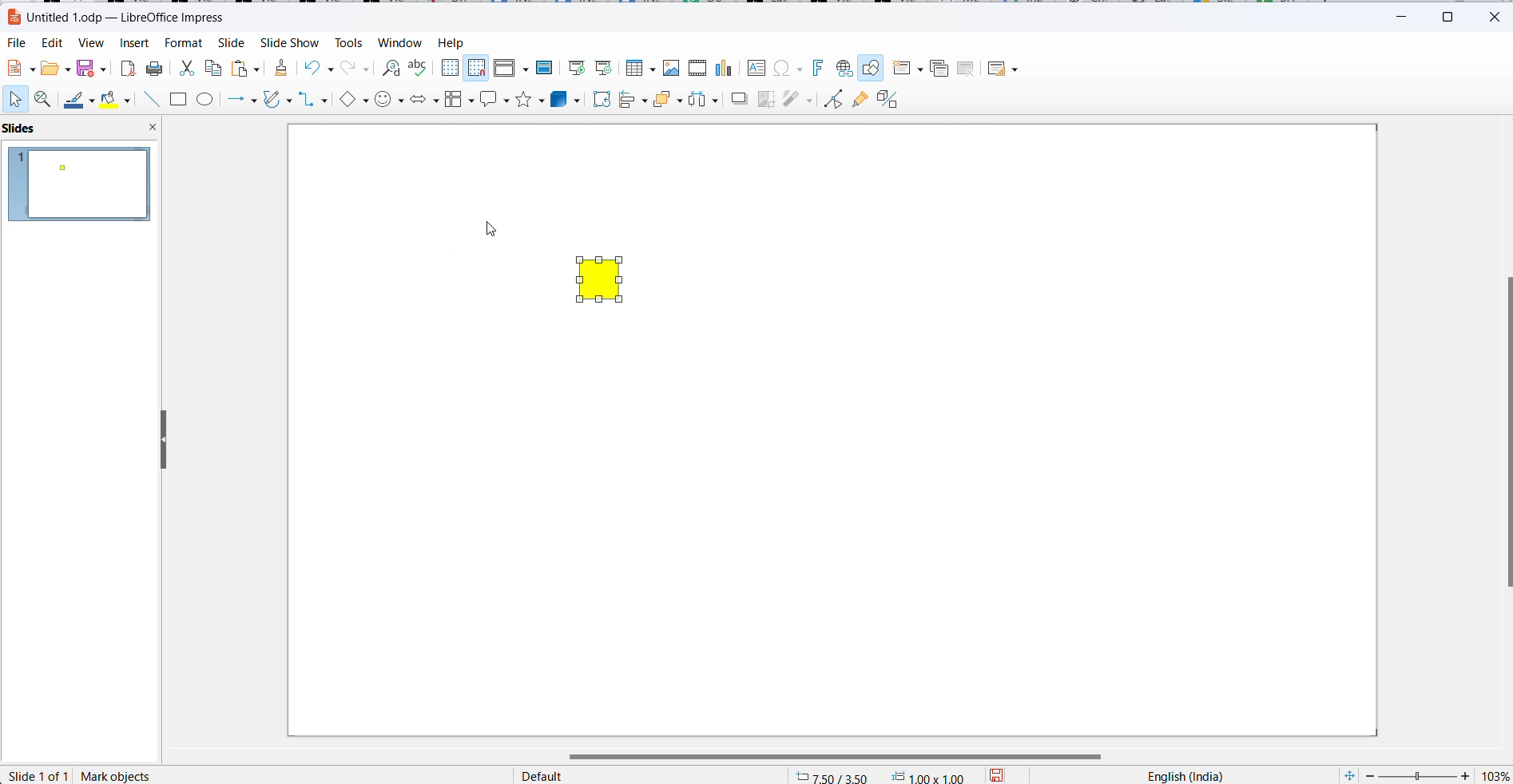  I want to click on Edit, so click(54, 42).